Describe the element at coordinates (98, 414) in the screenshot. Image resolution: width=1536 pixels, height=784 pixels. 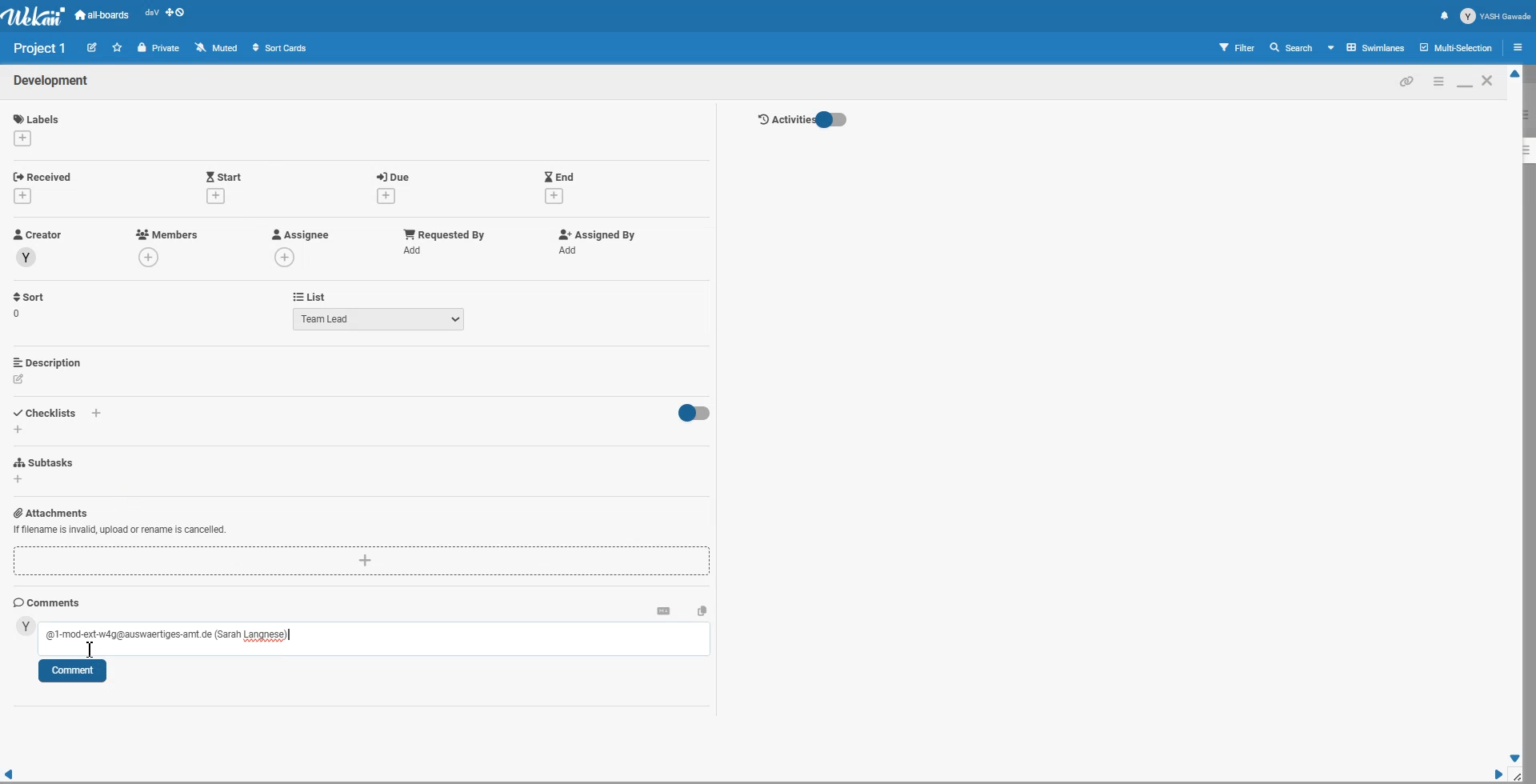
I see `add` at that location.